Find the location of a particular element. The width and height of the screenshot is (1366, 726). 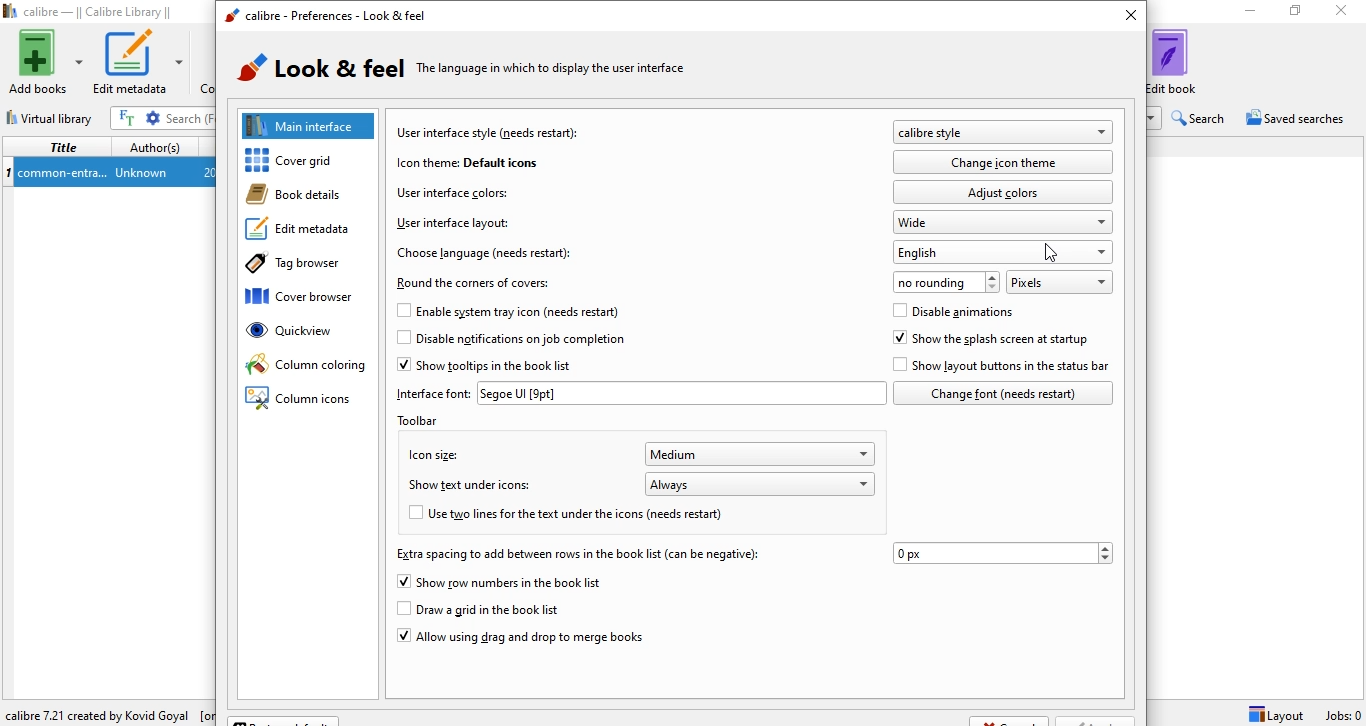

calibre - || Calibre Library || is located at coordinates (92, 12).